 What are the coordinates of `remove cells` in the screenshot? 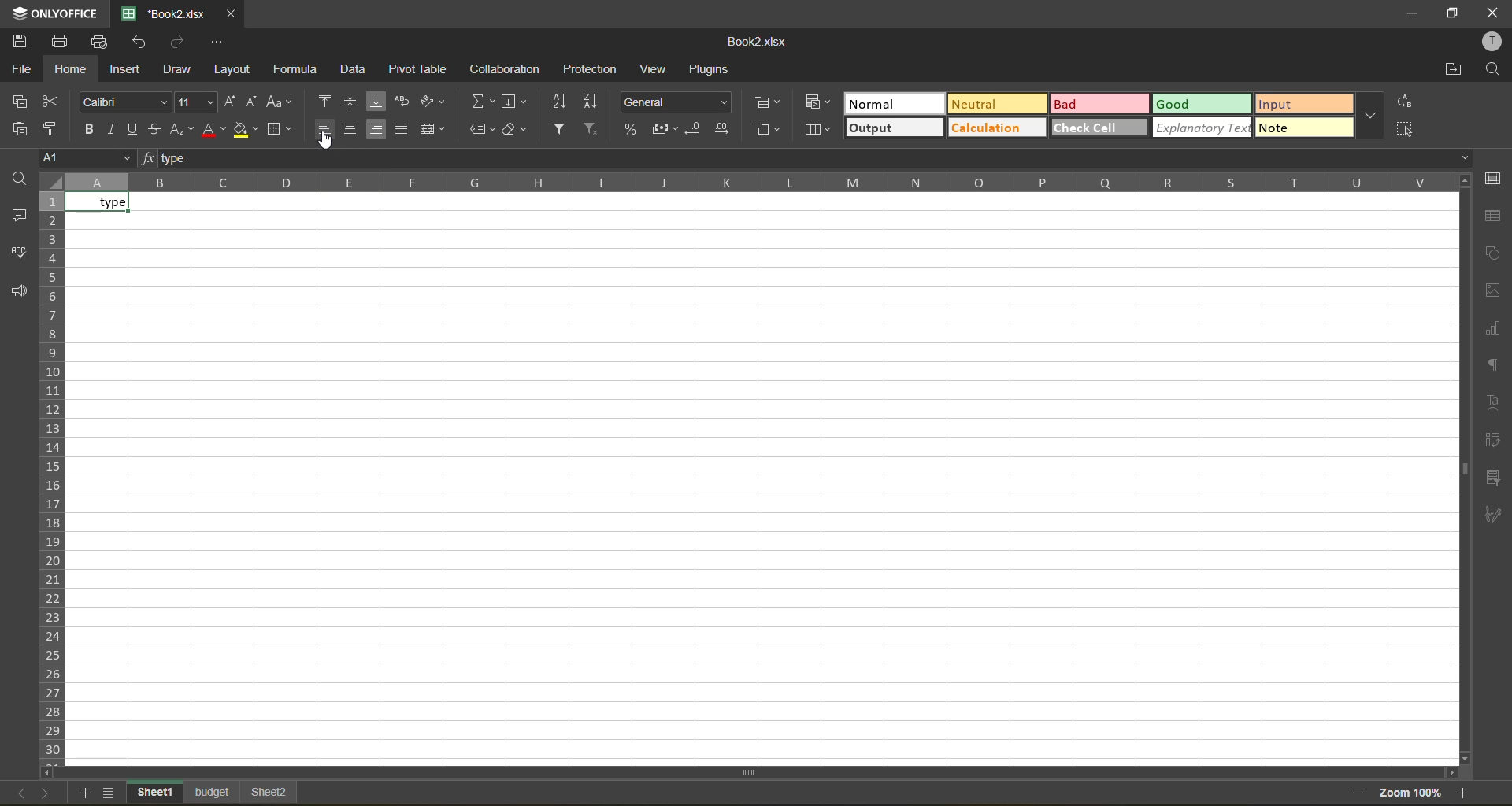 It's located at (768, 132).